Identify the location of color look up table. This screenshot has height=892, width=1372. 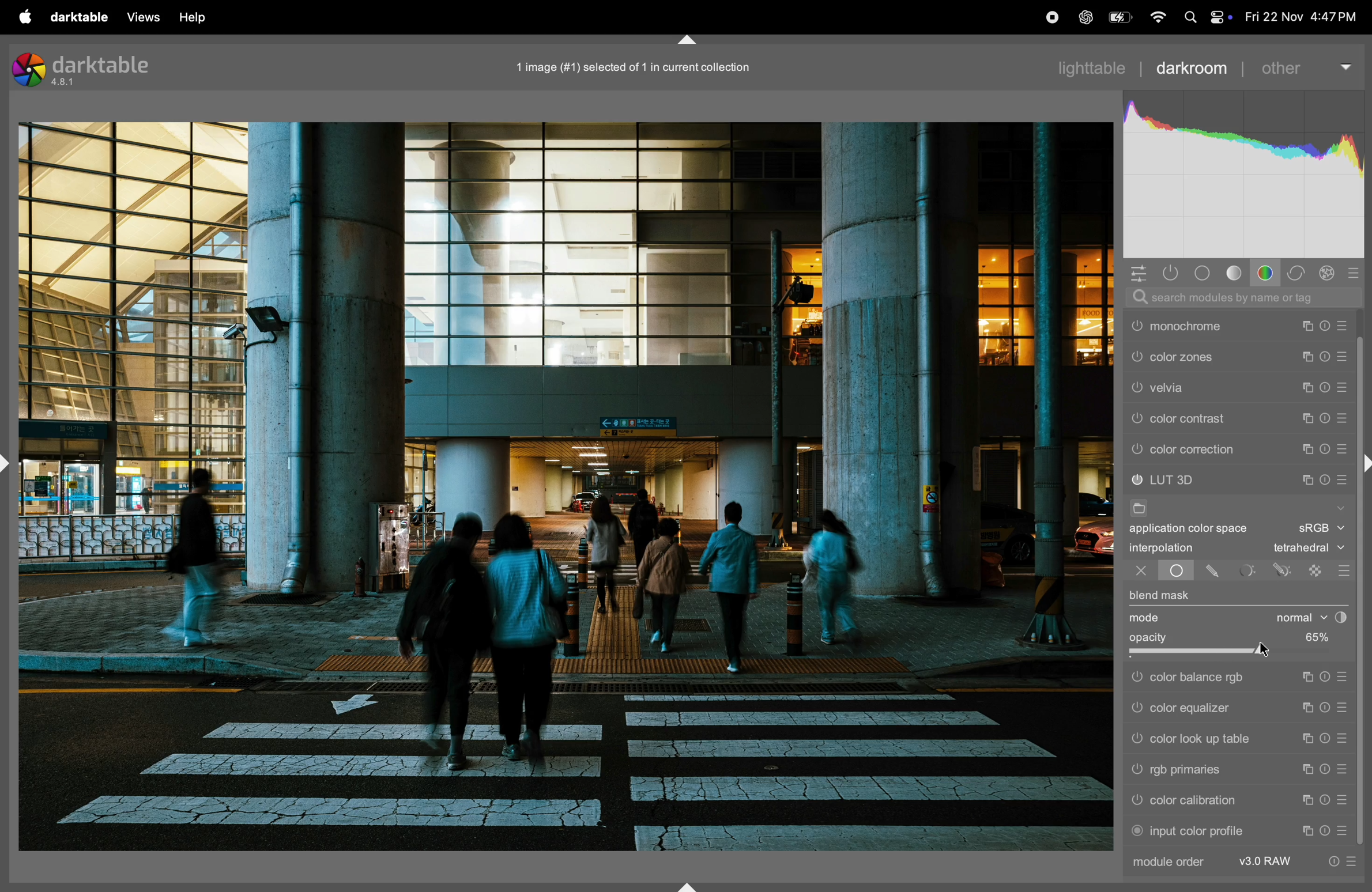
(1208, 739).